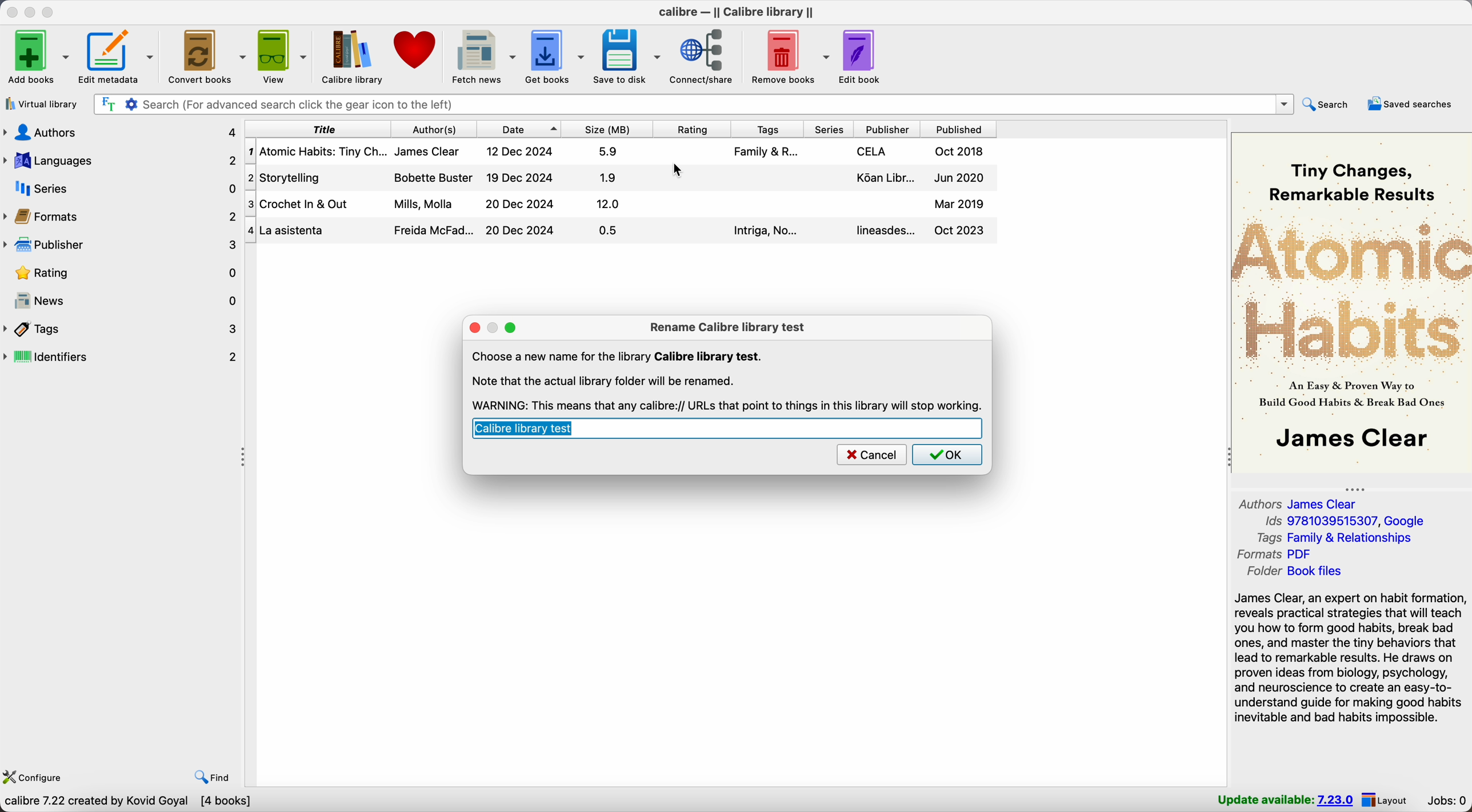  Describe the element at coordinates (790, 57) in the screenshot. I see `remove books` at that location.